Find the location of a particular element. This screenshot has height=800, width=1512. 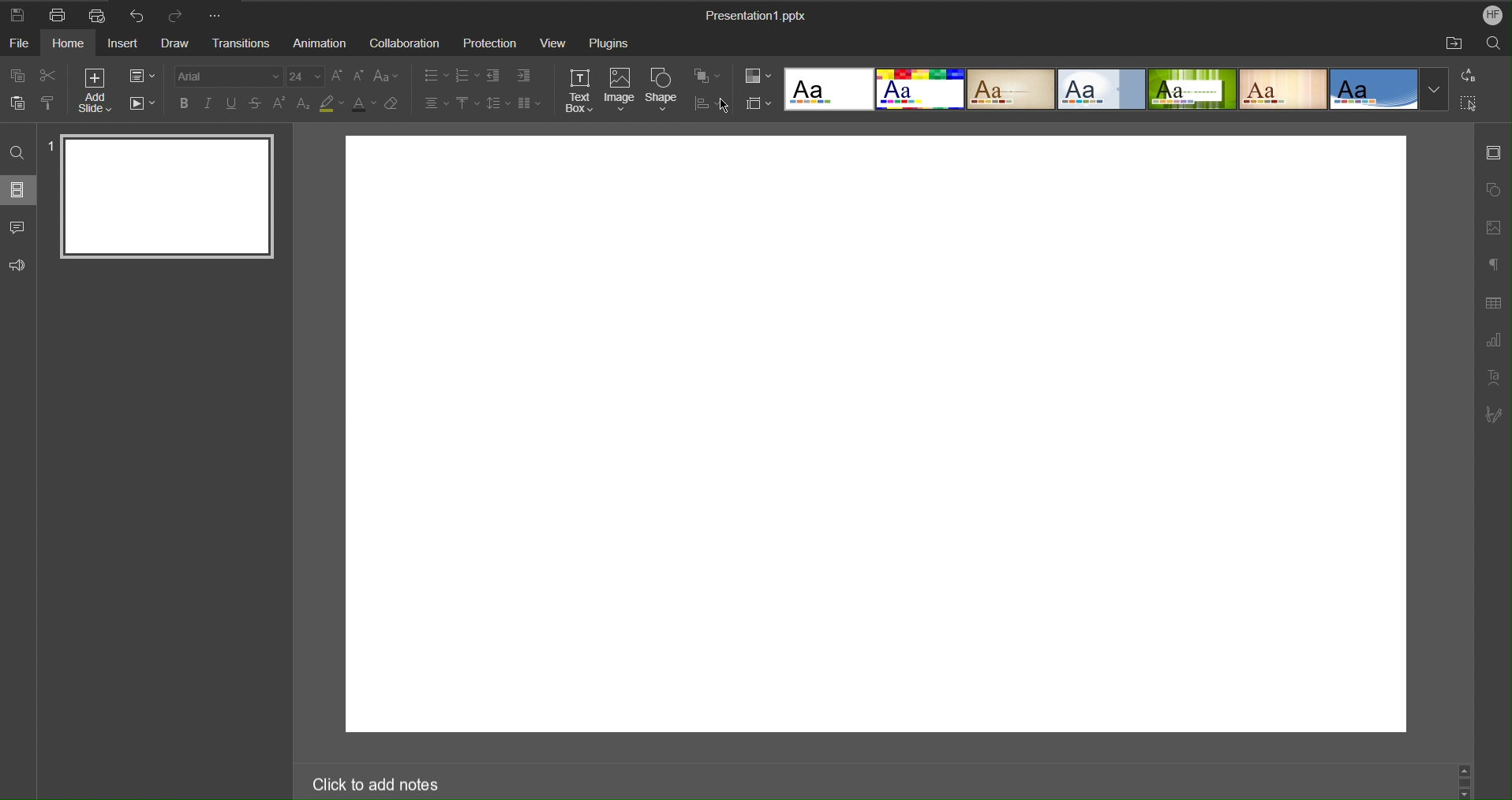

go down is located at coordinates (1465, 794).